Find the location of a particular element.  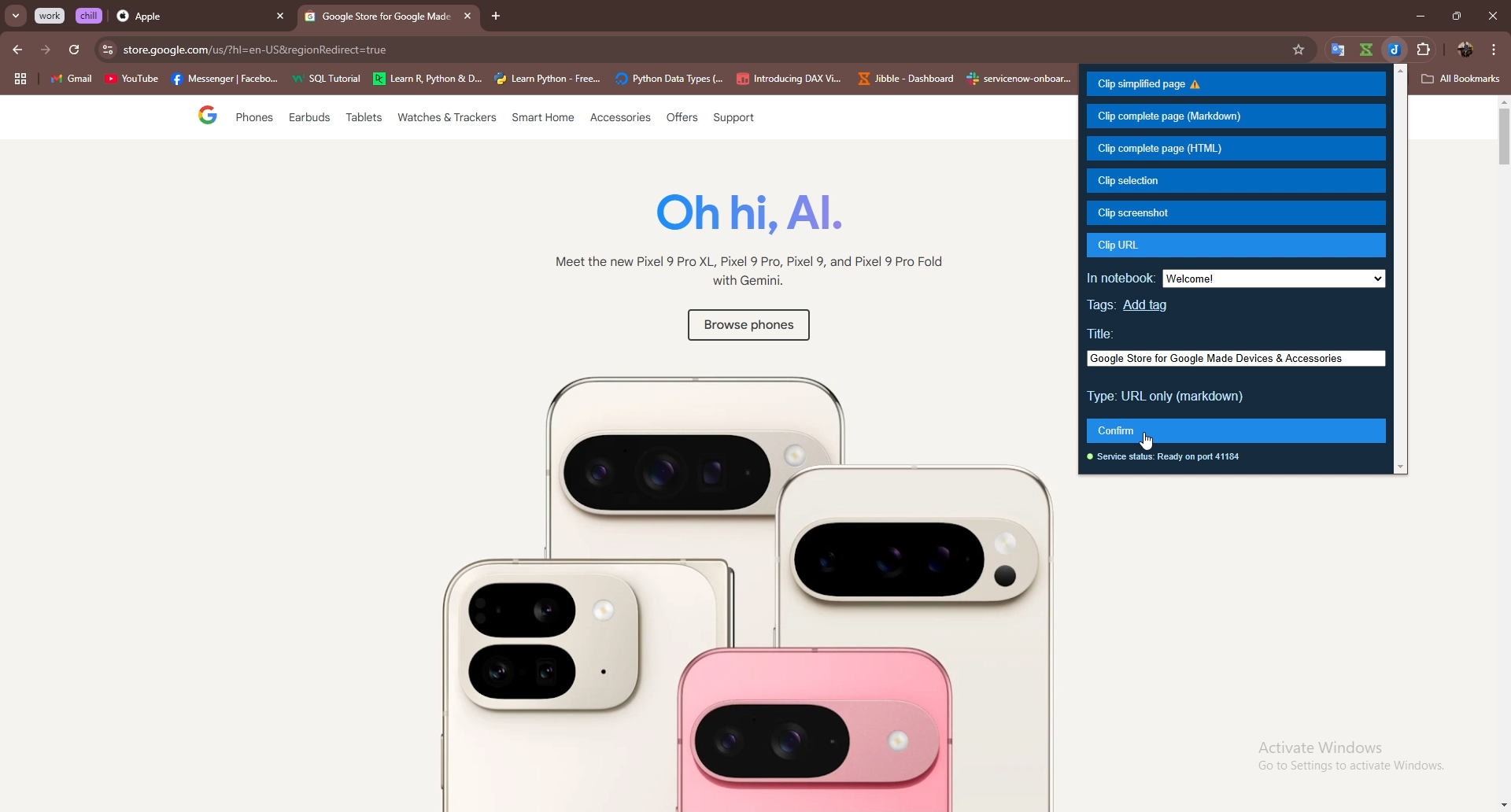

scroll bar is located at coordinates (1502, 455).